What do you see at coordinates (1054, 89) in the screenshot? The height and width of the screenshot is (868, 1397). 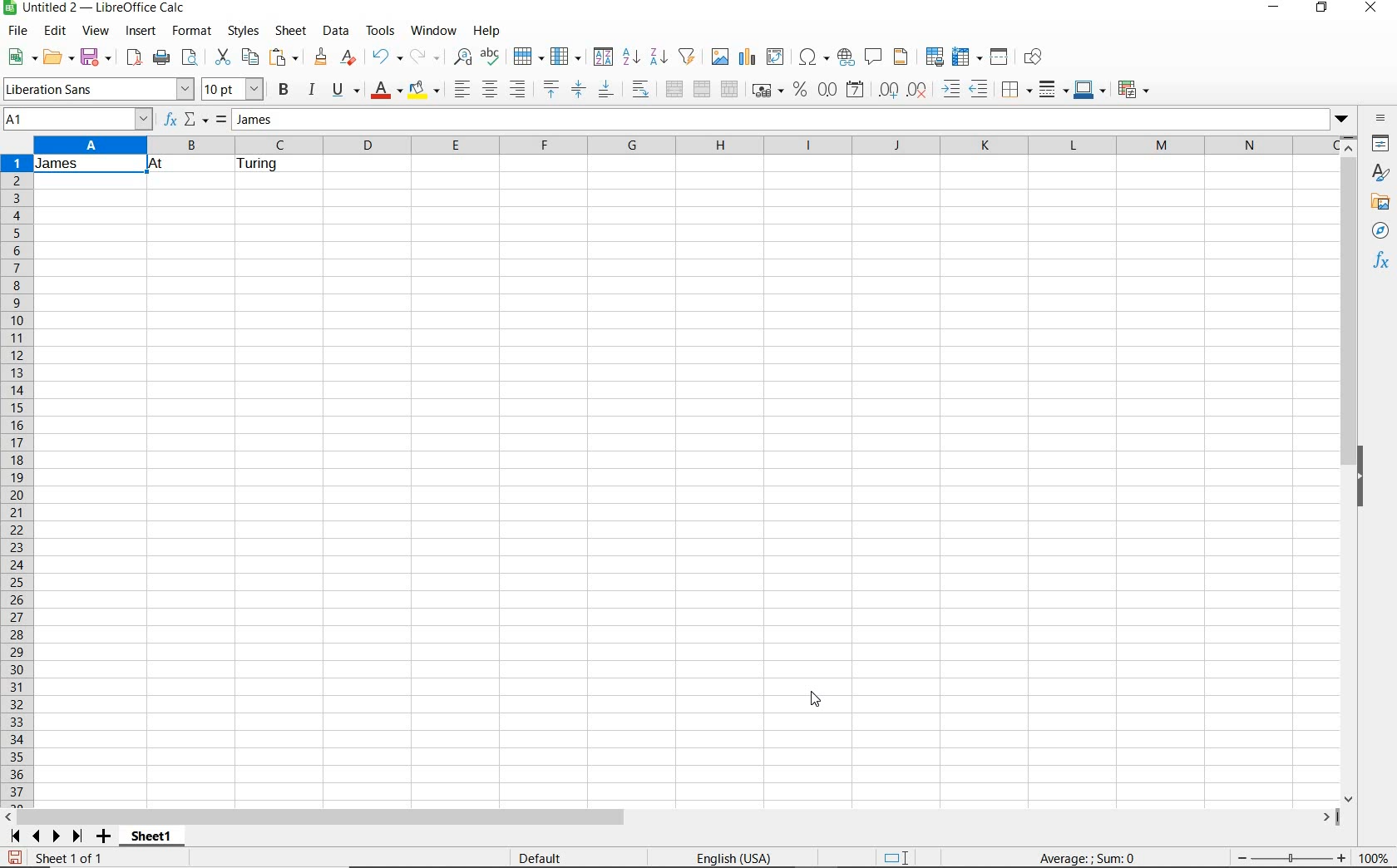 I see `border style` at bounding box center [1054, 89].